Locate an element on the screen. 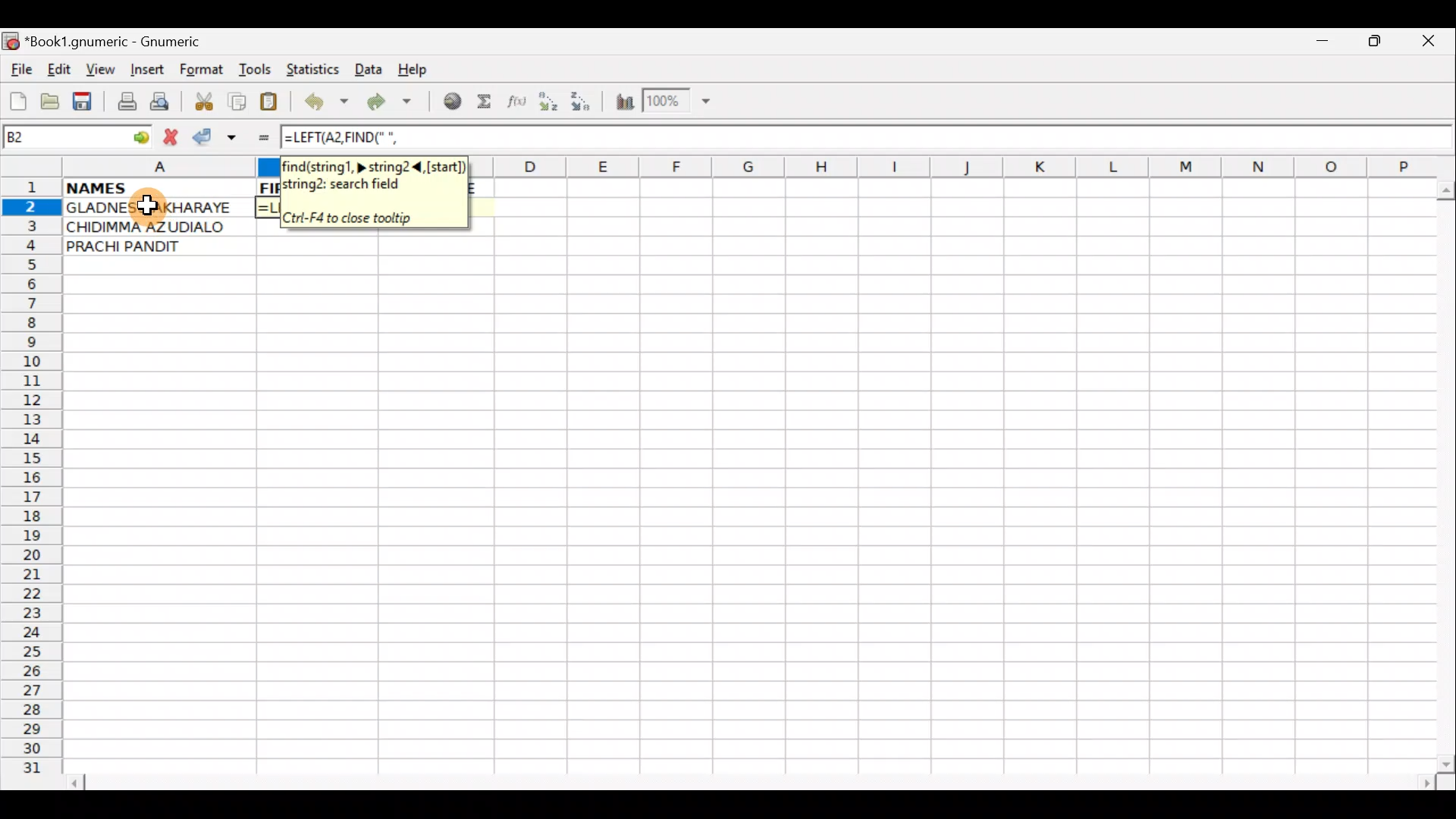  Print preview is located at coordinates (160, 105).